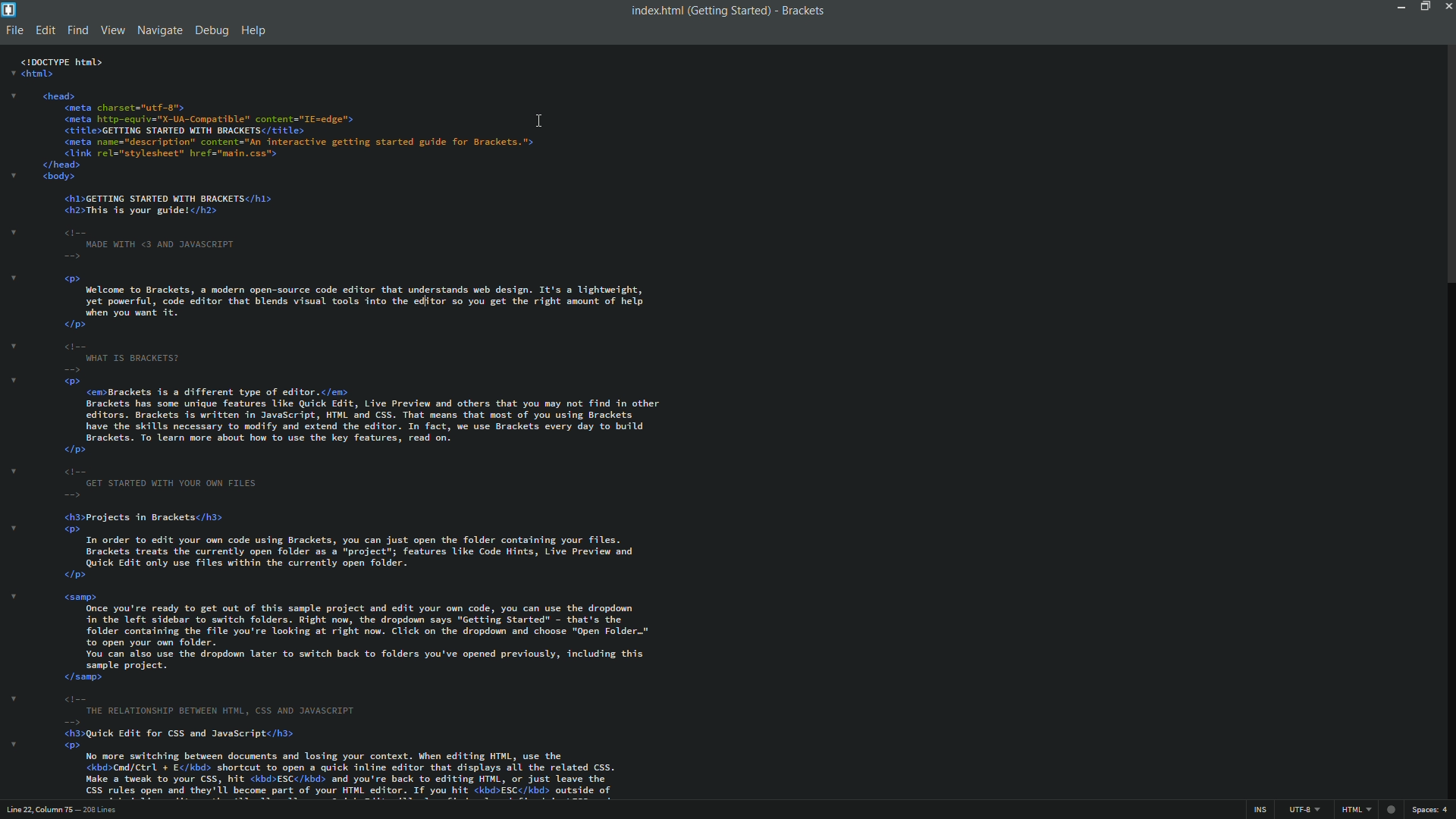  Describe the element at coordinates (14, 471) in the screenshot. I see `dropdown` at that location.